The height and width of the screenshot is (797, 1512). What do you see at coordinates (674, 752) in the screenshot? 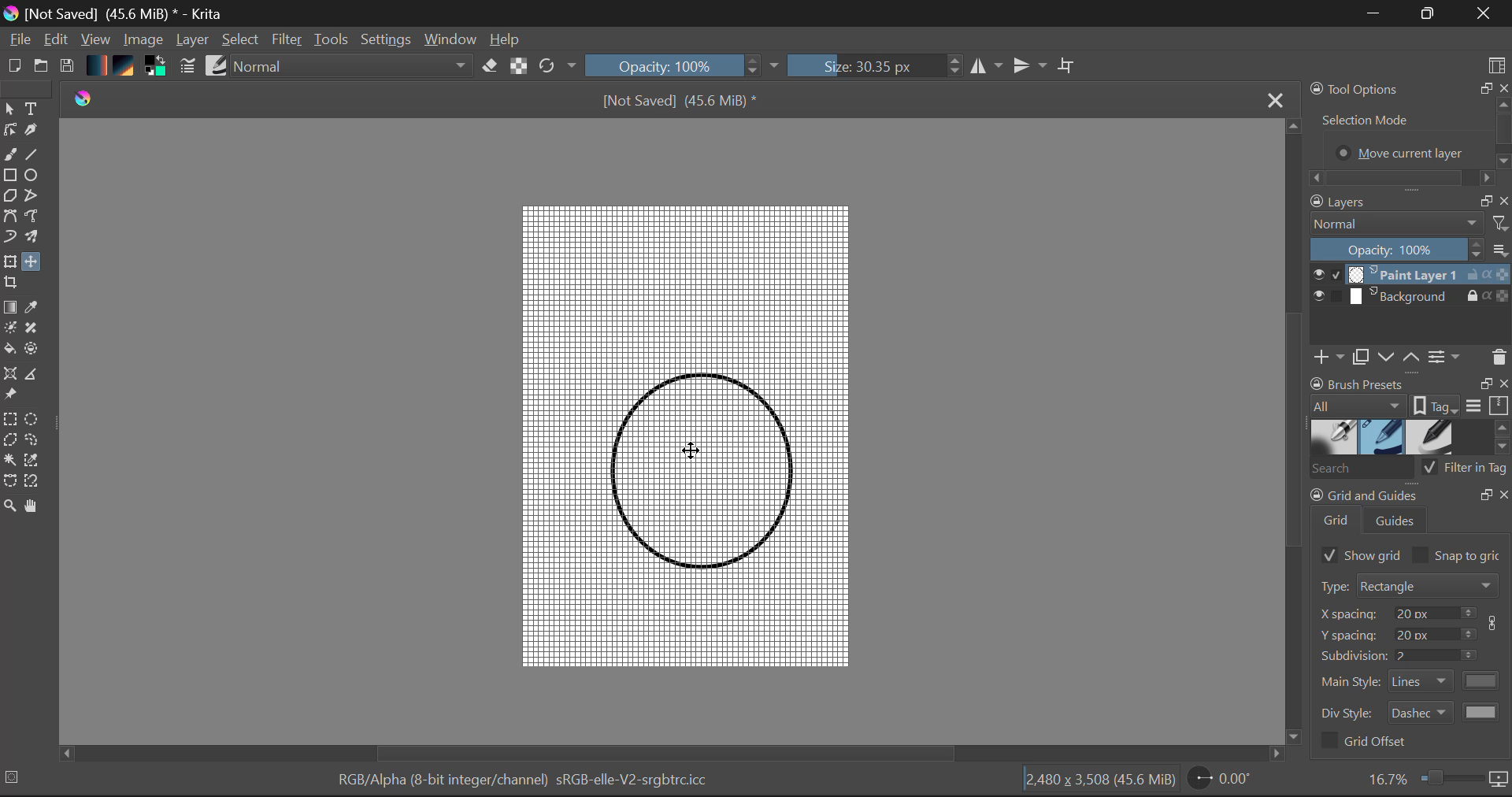
I see `Scroll Bar` at bounding box center [674, 752].